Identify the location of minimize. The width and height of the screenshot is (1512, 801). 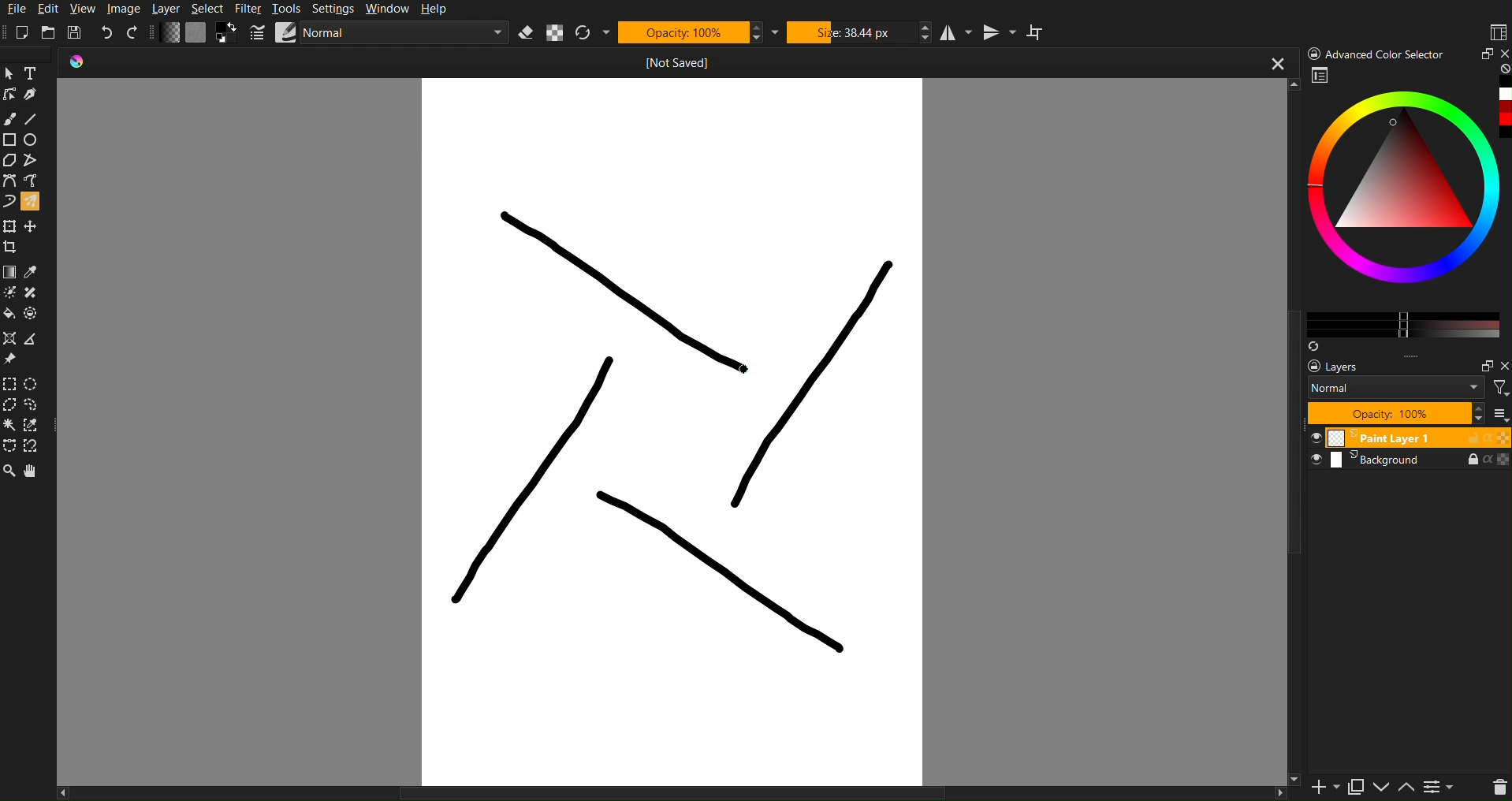
(1484, 54).